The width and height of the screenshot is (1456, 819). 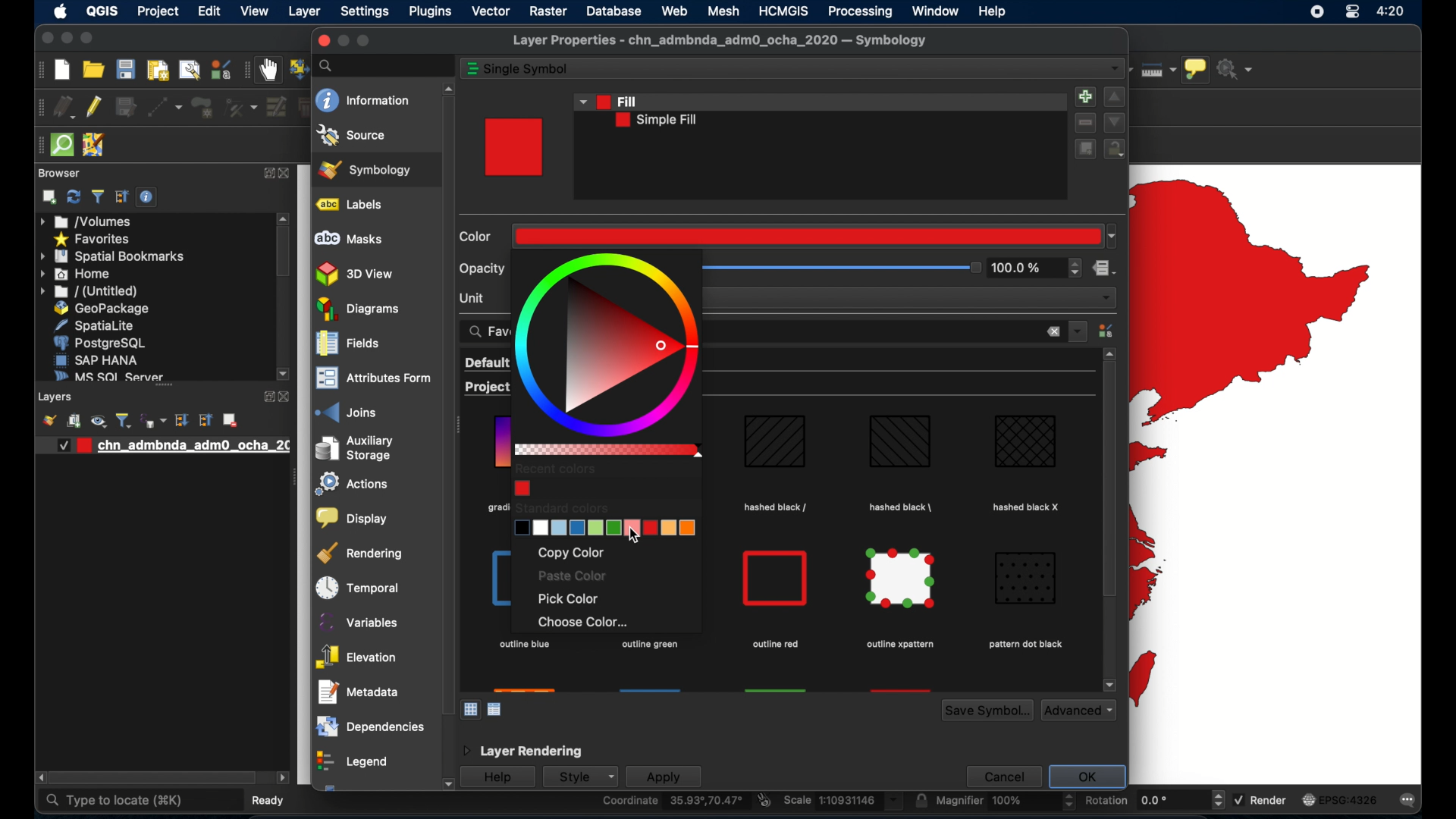 I want to click on search bar, so click(x=383, y=65).